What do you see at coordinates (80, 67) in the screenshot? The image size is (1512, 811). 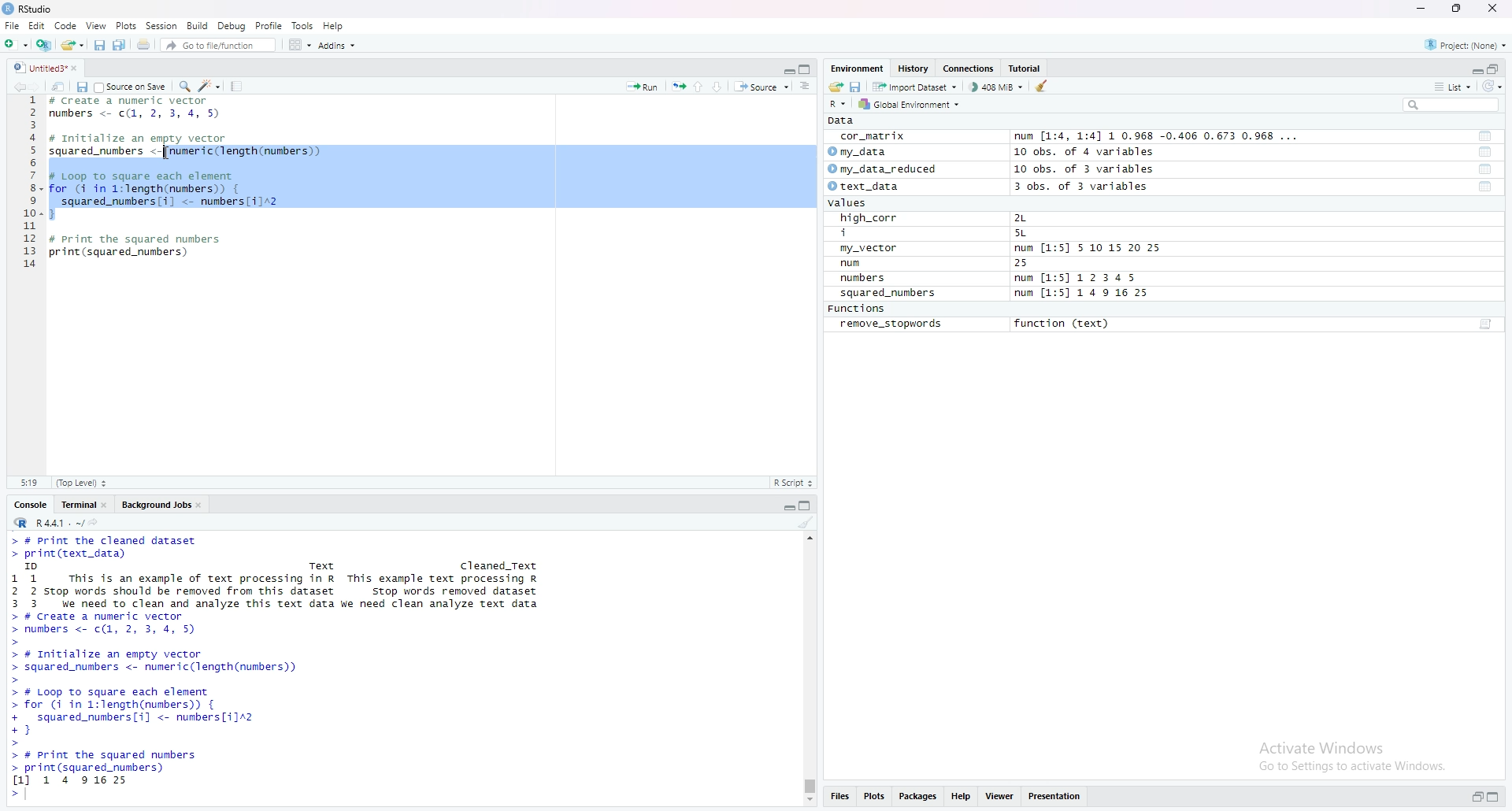 I see `close` at bounding box center [80, 67].